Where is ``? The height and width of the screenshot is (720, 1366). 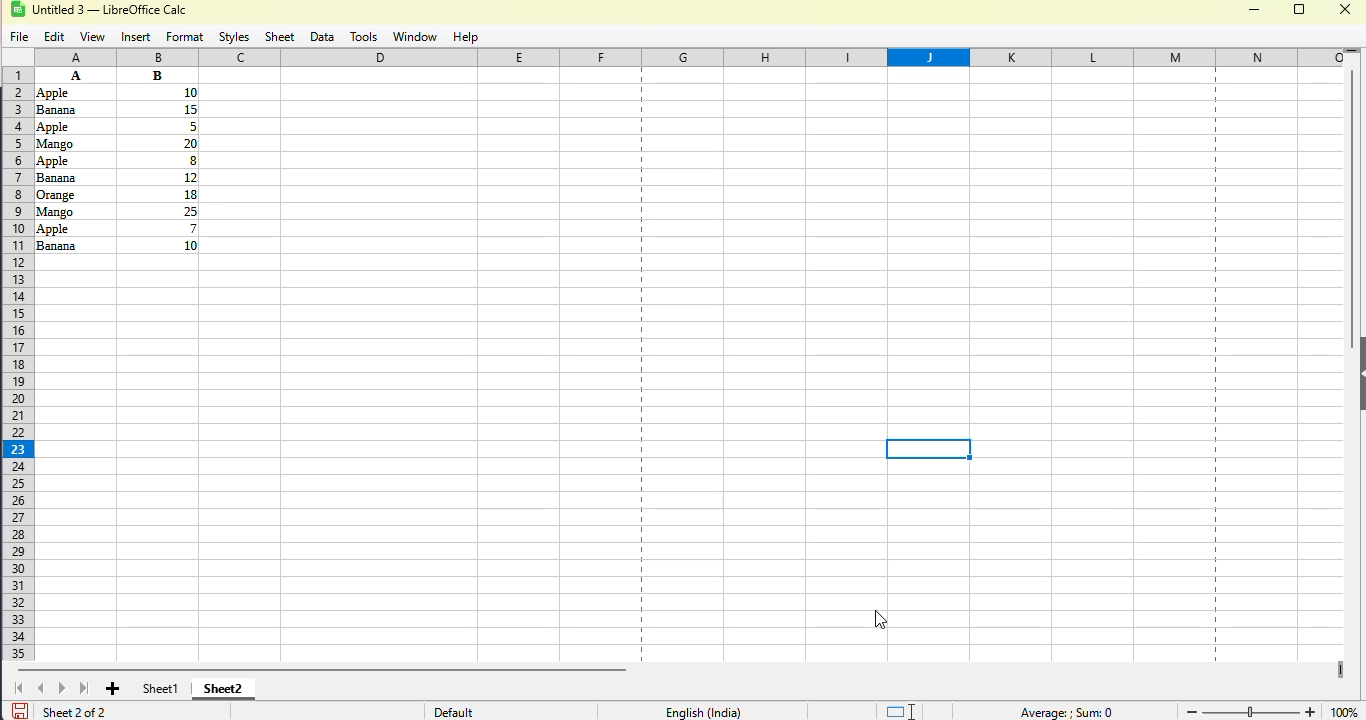
 is located at coordinates (74, 126).